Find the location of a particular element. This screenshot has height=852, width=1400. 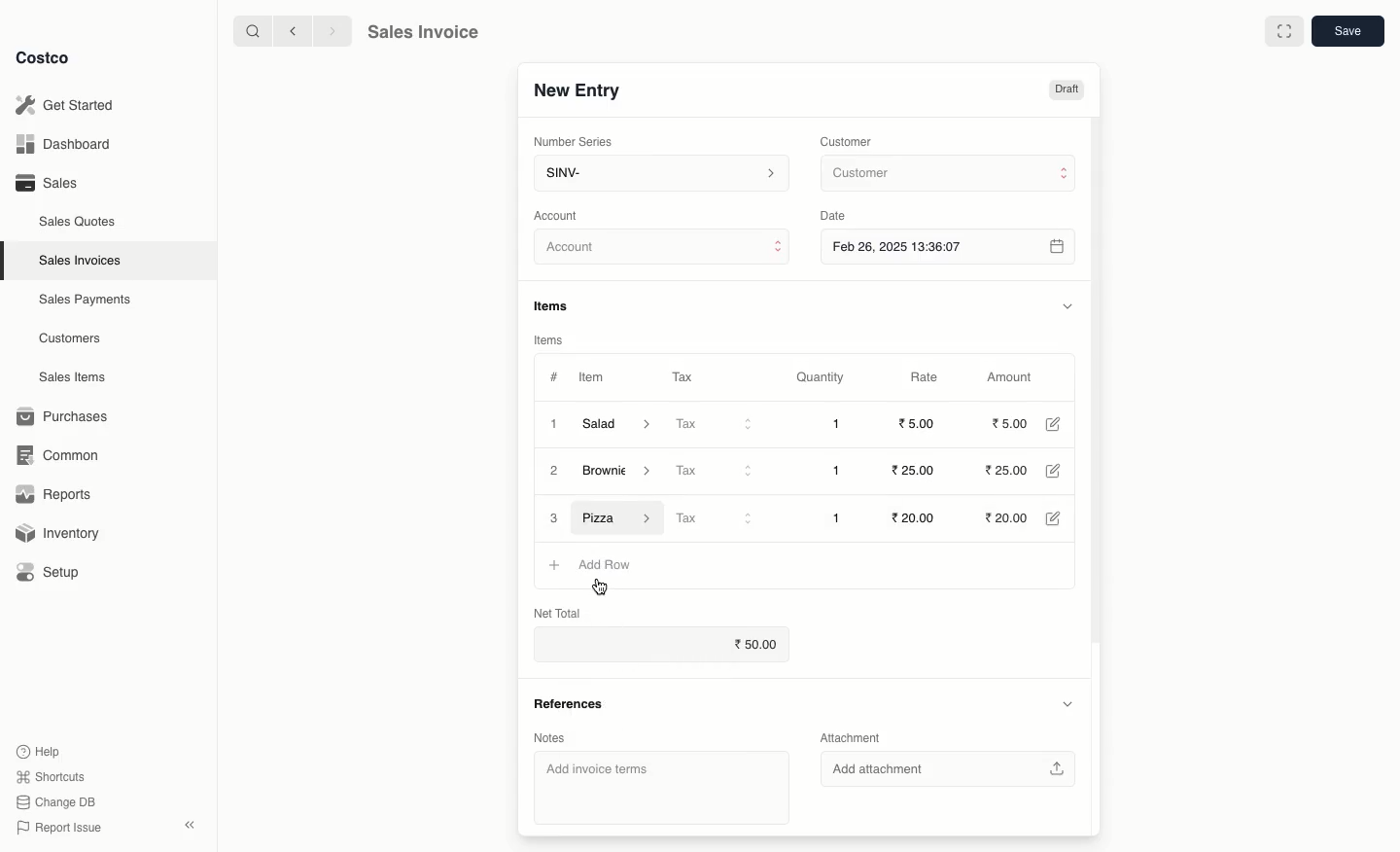

Add Row is located at coordinates (611, 564).